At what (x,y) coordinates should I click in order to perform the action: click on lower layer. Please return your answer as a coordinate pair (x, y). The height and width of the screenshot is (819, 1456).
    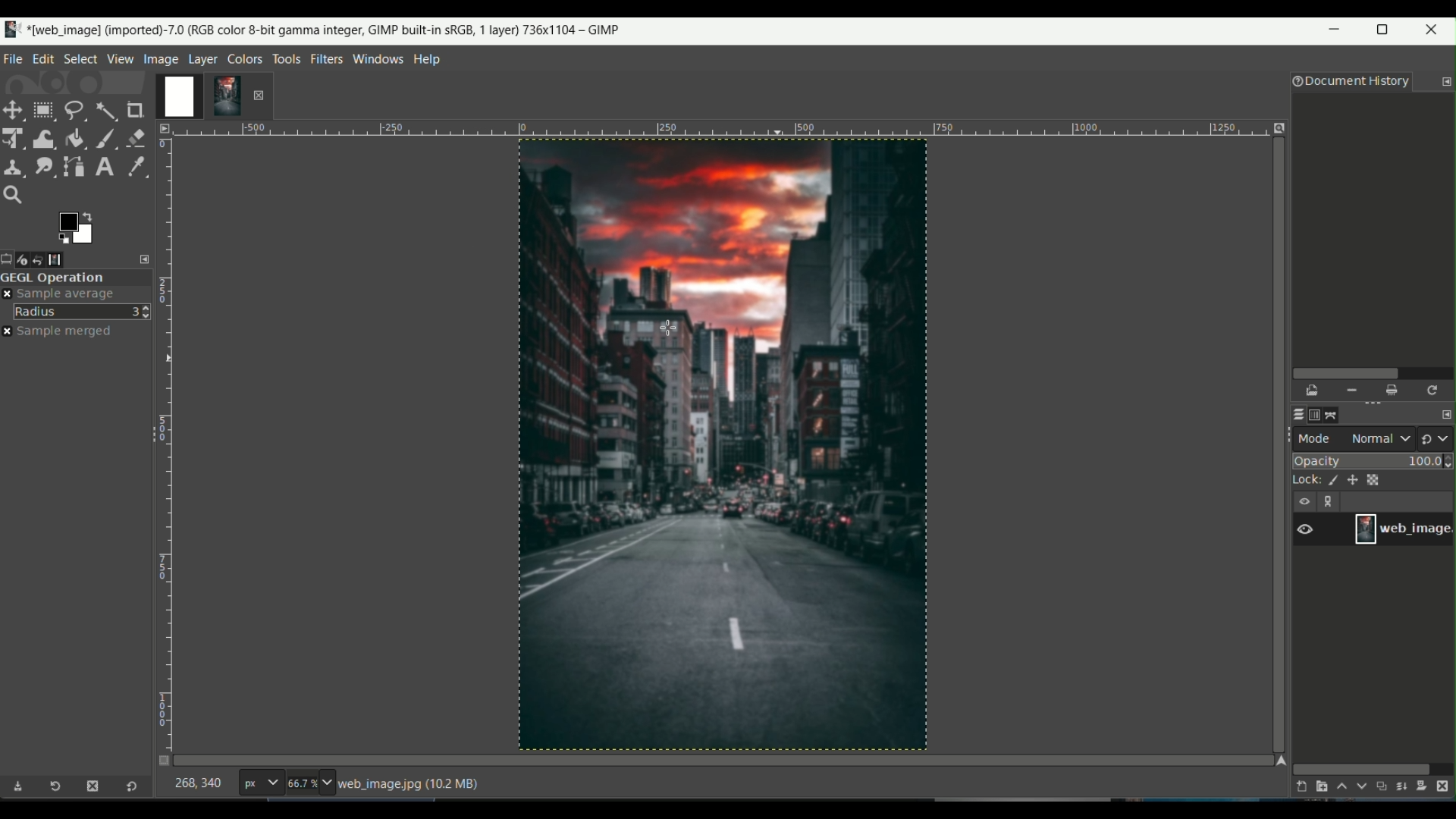
    Looking at the image, I should click on (1362, 789).